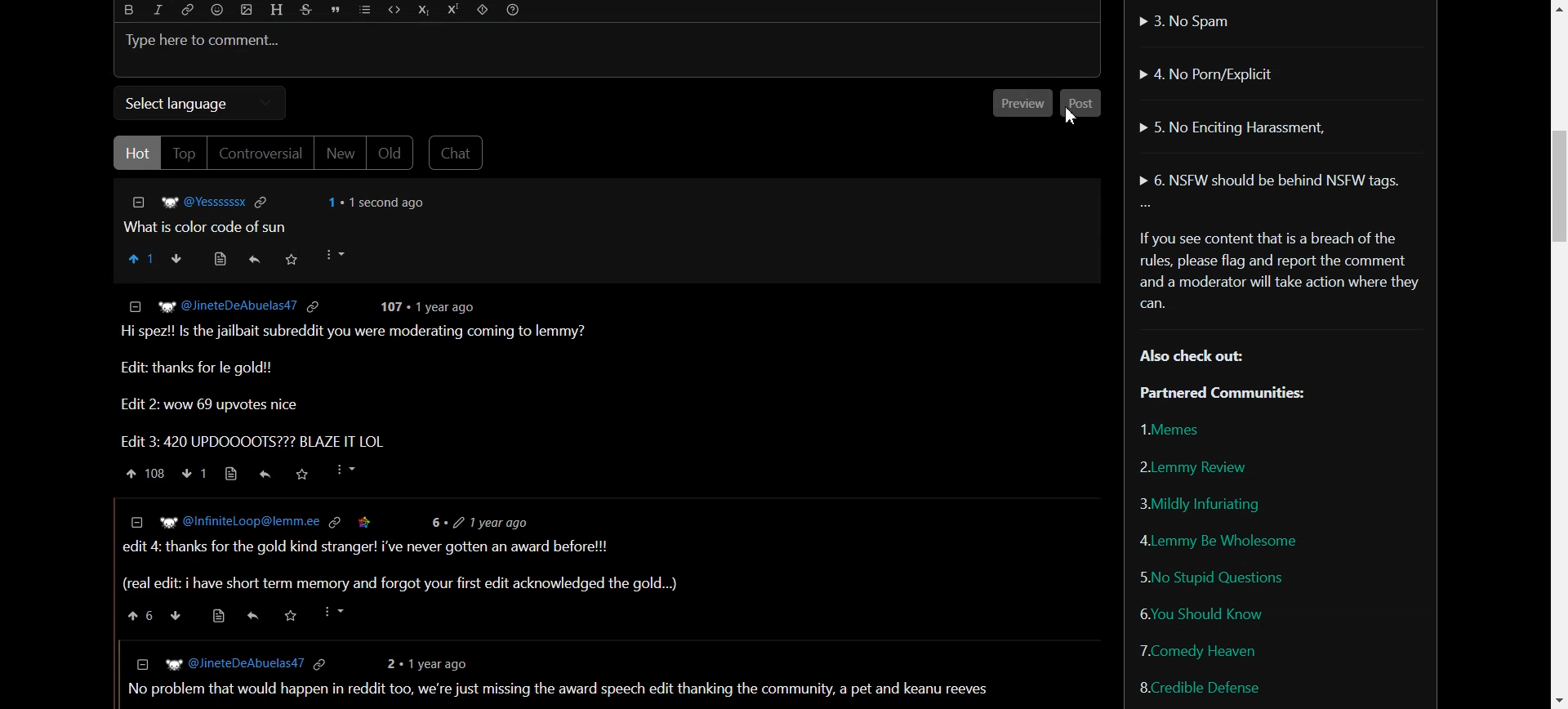  I want to click on Cursor, so click(1070, 117).